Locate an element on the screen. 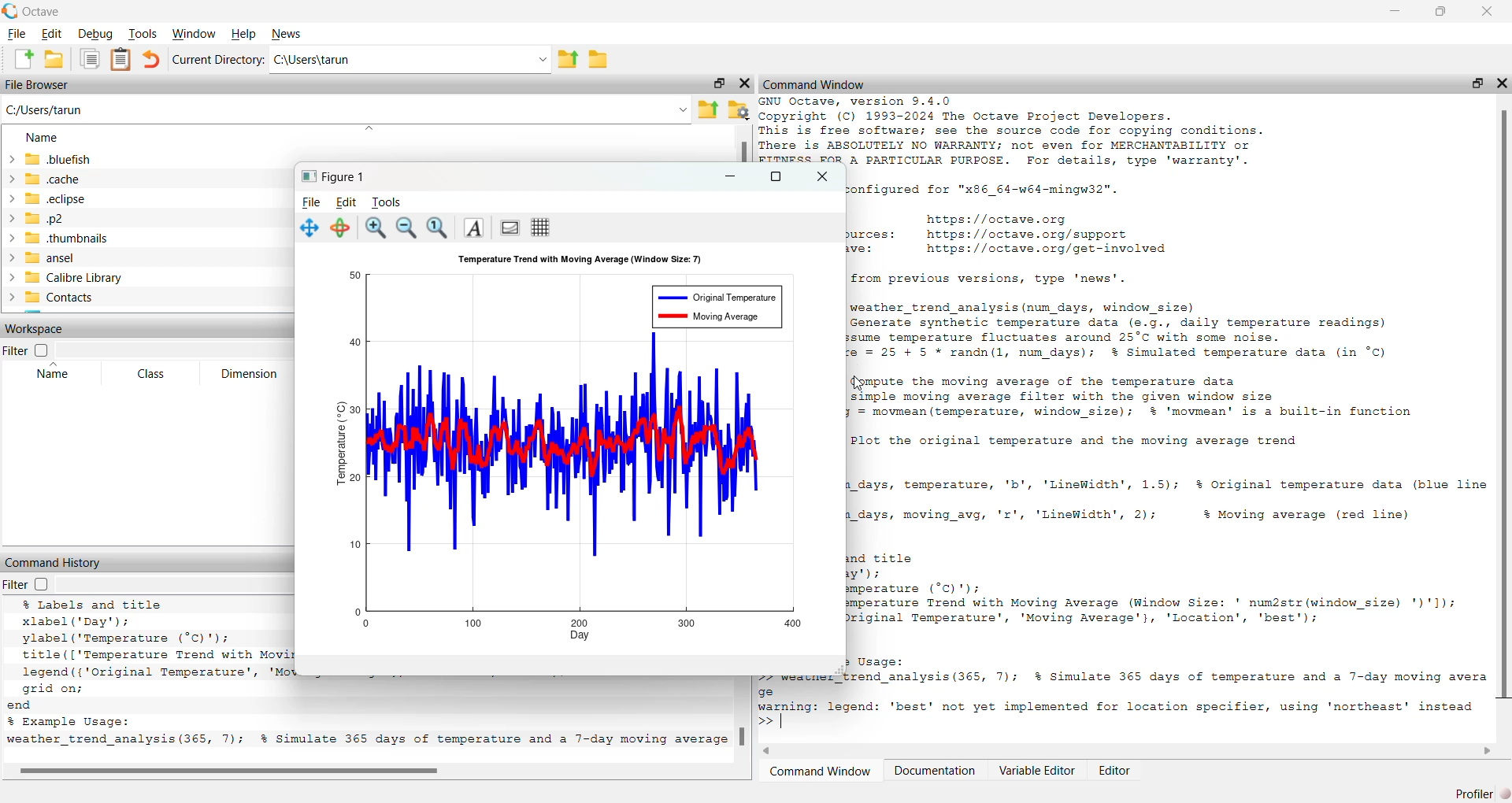 The width and height of the screenshot is (1512, 803). Zoom In is located at coordinates (379, 229).